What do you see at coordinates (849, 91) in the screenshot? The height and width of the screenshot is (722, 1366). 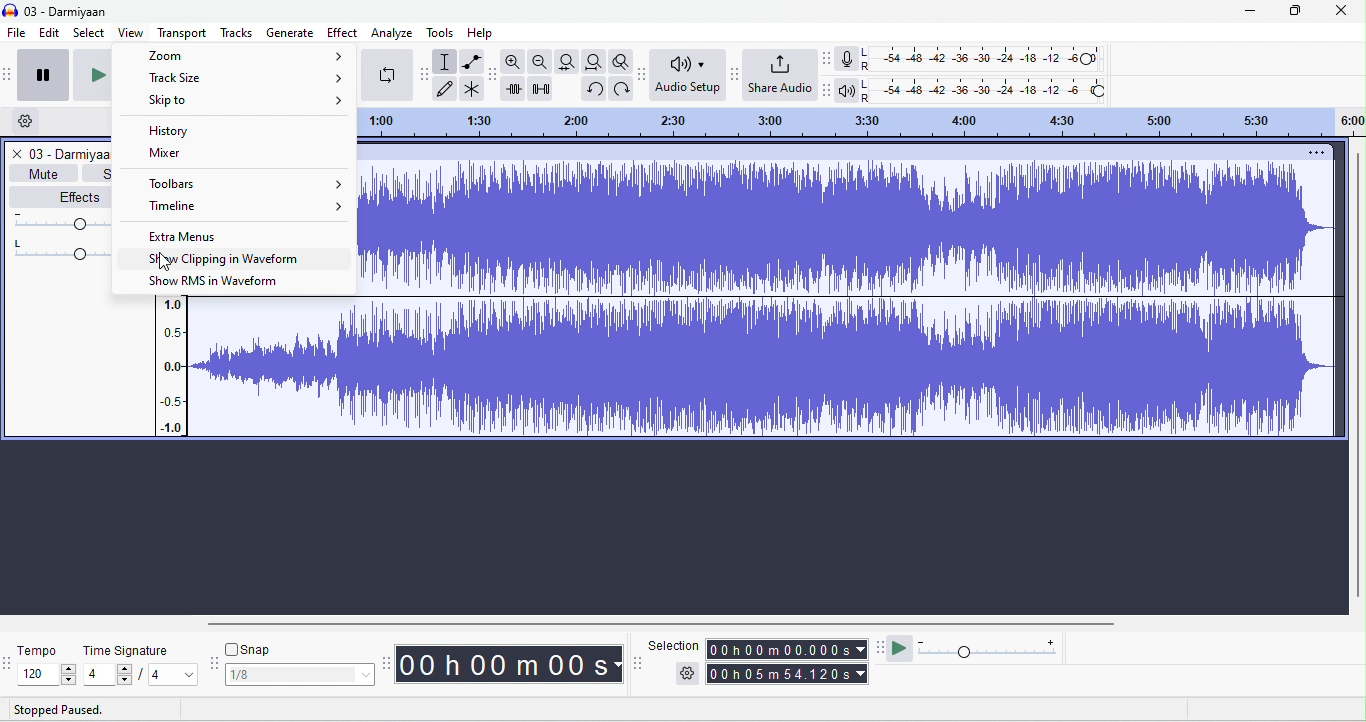 I see `playback meter` at bounding box center [849, 91].